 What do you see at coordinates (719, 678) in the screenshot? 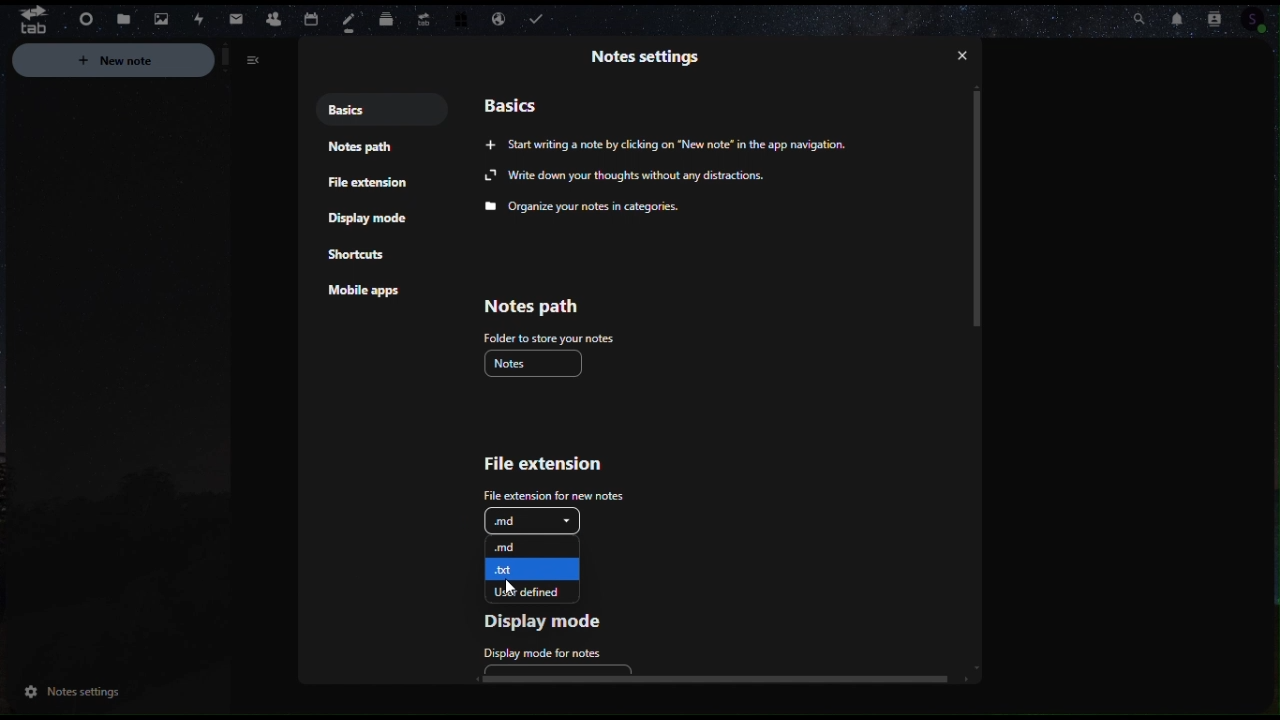
I see `horizontal scroll bar` at bounding box center [719, 678].